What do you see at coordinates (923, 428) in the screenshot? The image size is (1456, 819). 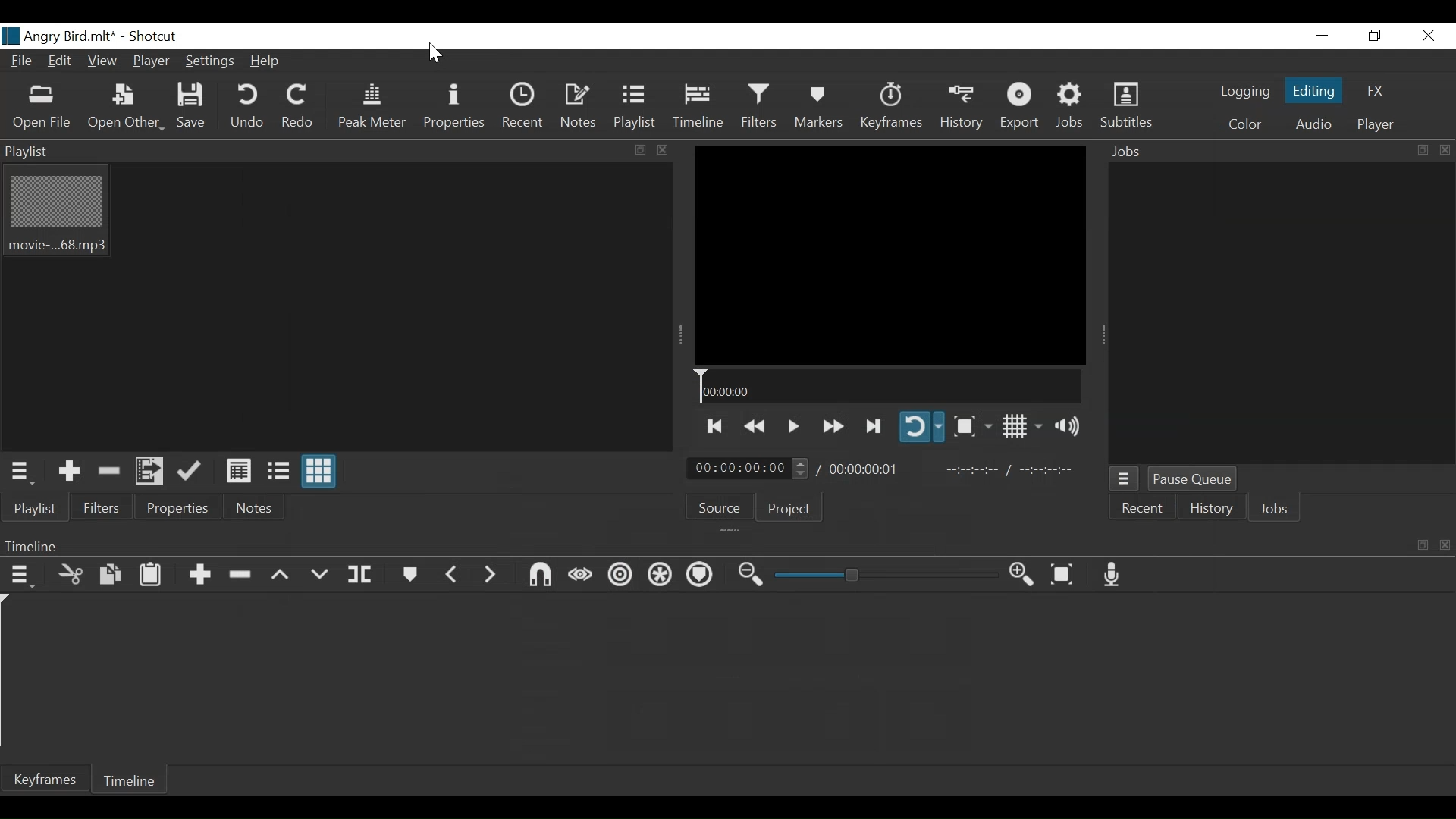 I see `Toggle player on looping` at bounding box center [923, 428].